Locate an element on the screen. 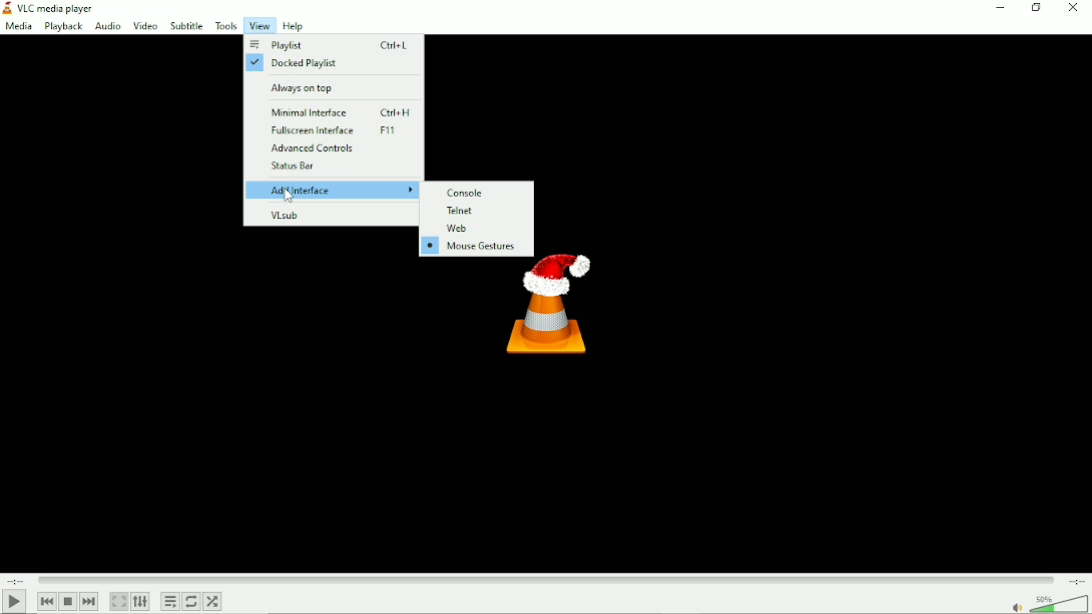 The height and width of the screenshot is (614, 1092). Show extended settings is located at coordinates (140, 602).